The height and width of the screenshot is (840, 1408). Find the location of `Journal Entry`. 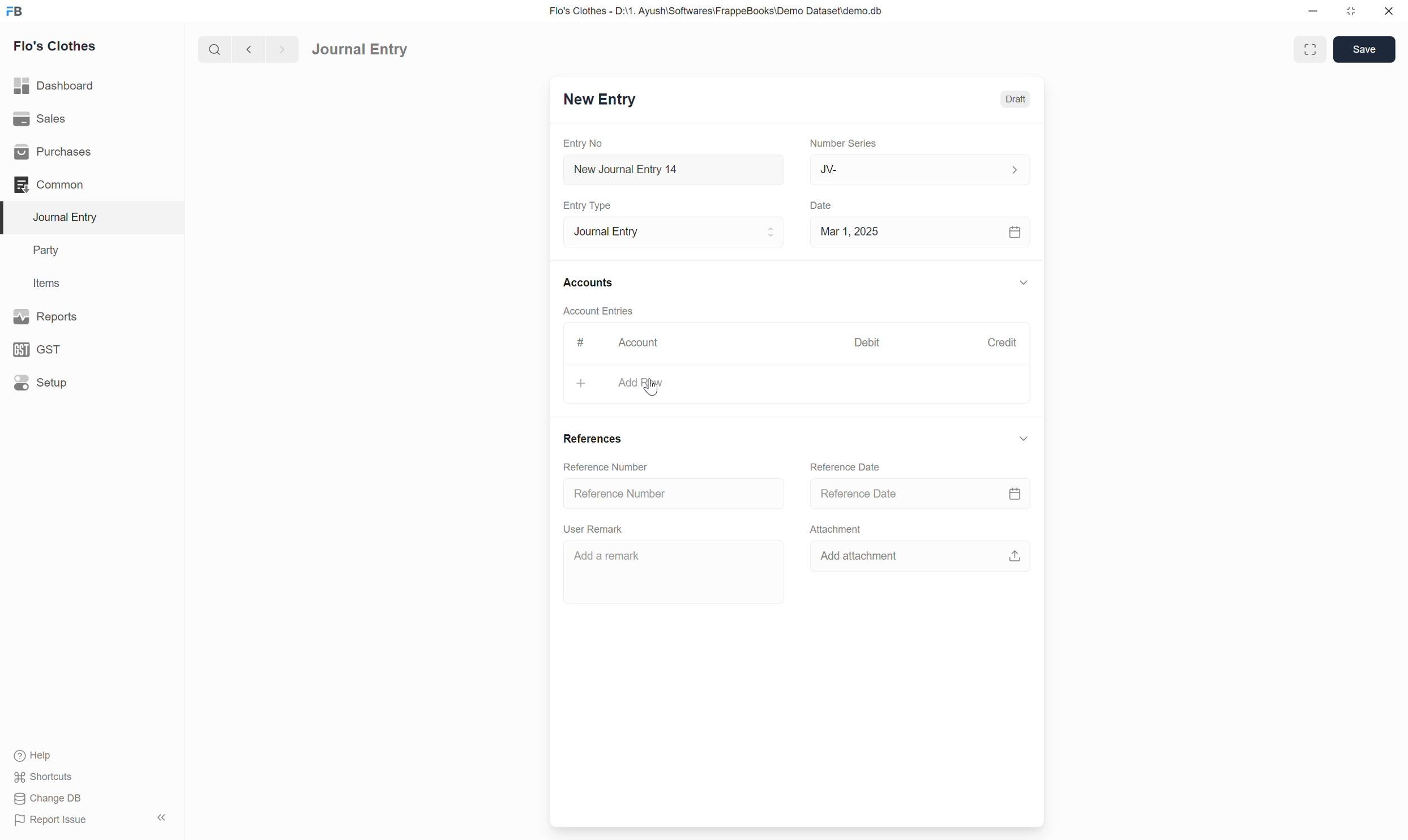

Journal Entry is located at coordinates (70, 217).